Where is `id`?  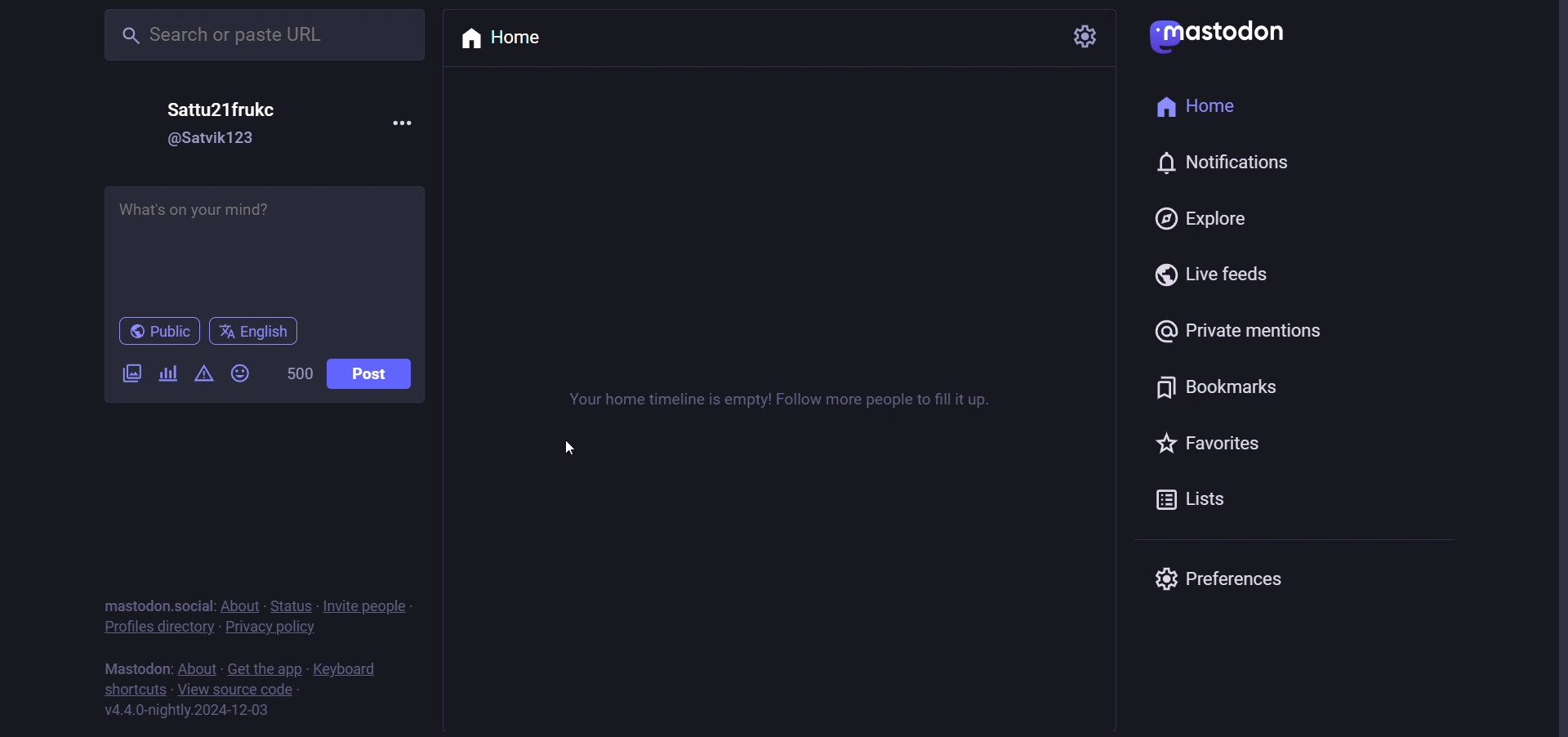 id is located at coordinates (218, 140).